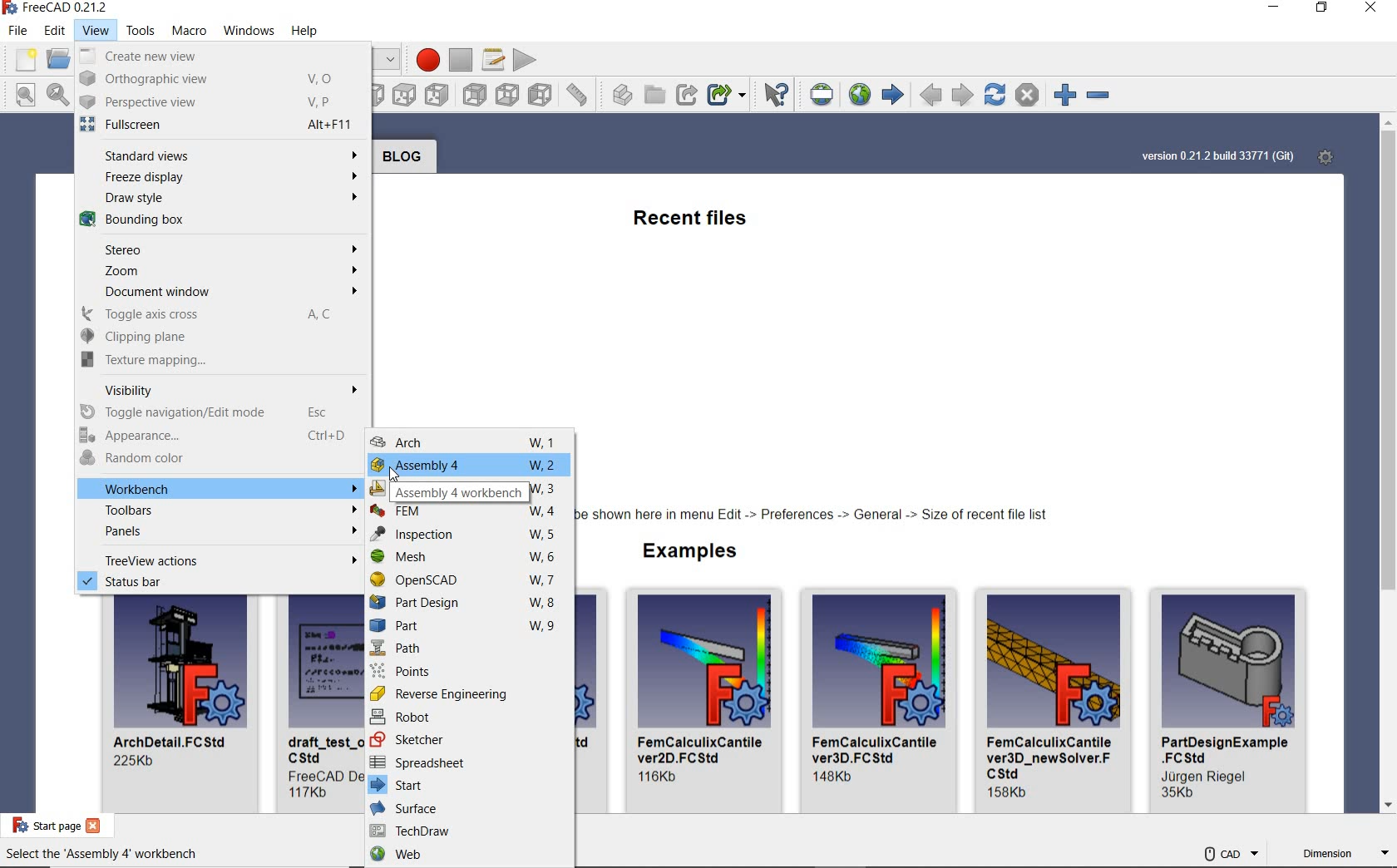  I want to click on bounding box, so click(223, 222).